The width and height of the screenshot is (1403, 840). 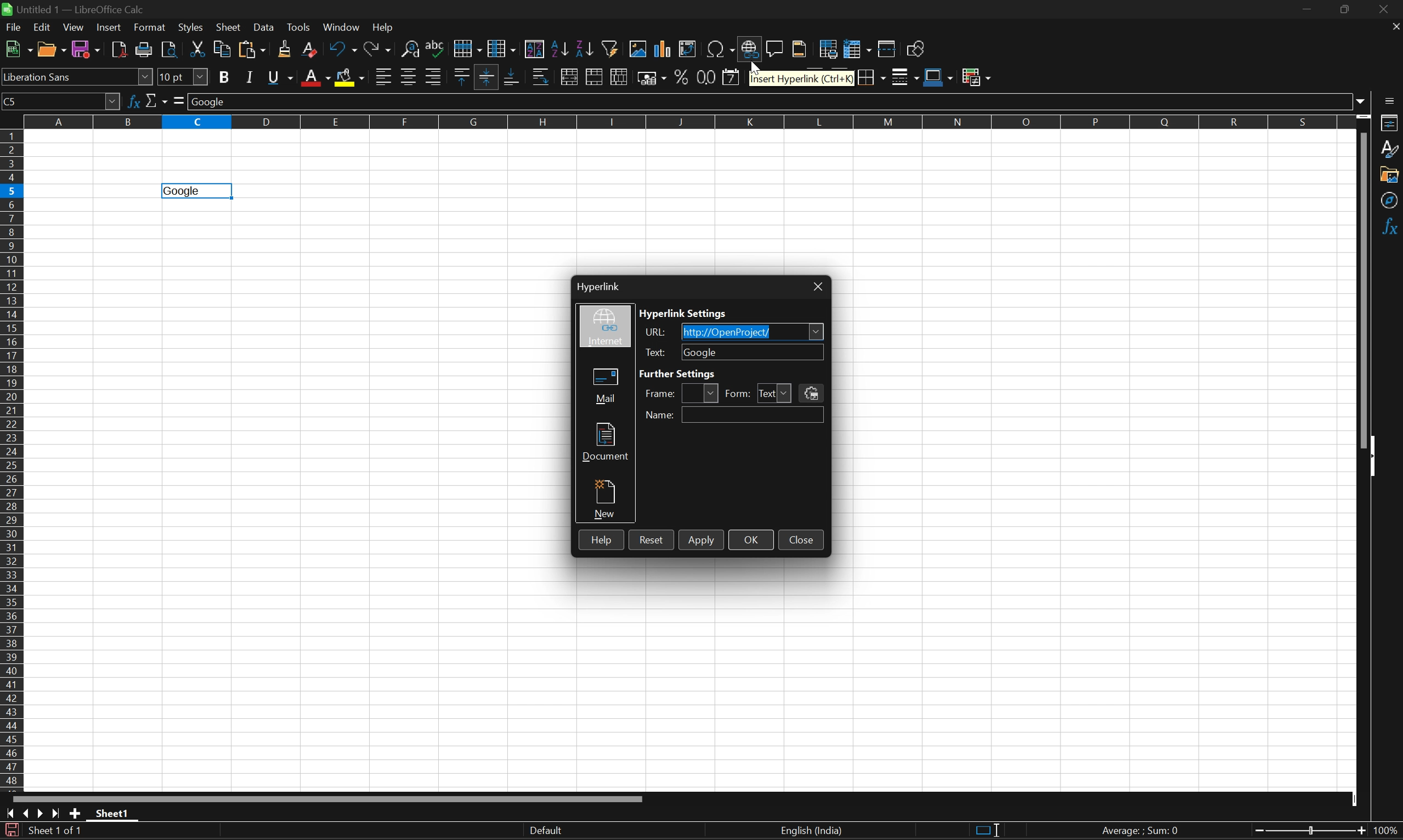 What do you see at coordinates (917, 48) in the screenshot?
I see `Show draw functions` at bounding box center [917, 48].